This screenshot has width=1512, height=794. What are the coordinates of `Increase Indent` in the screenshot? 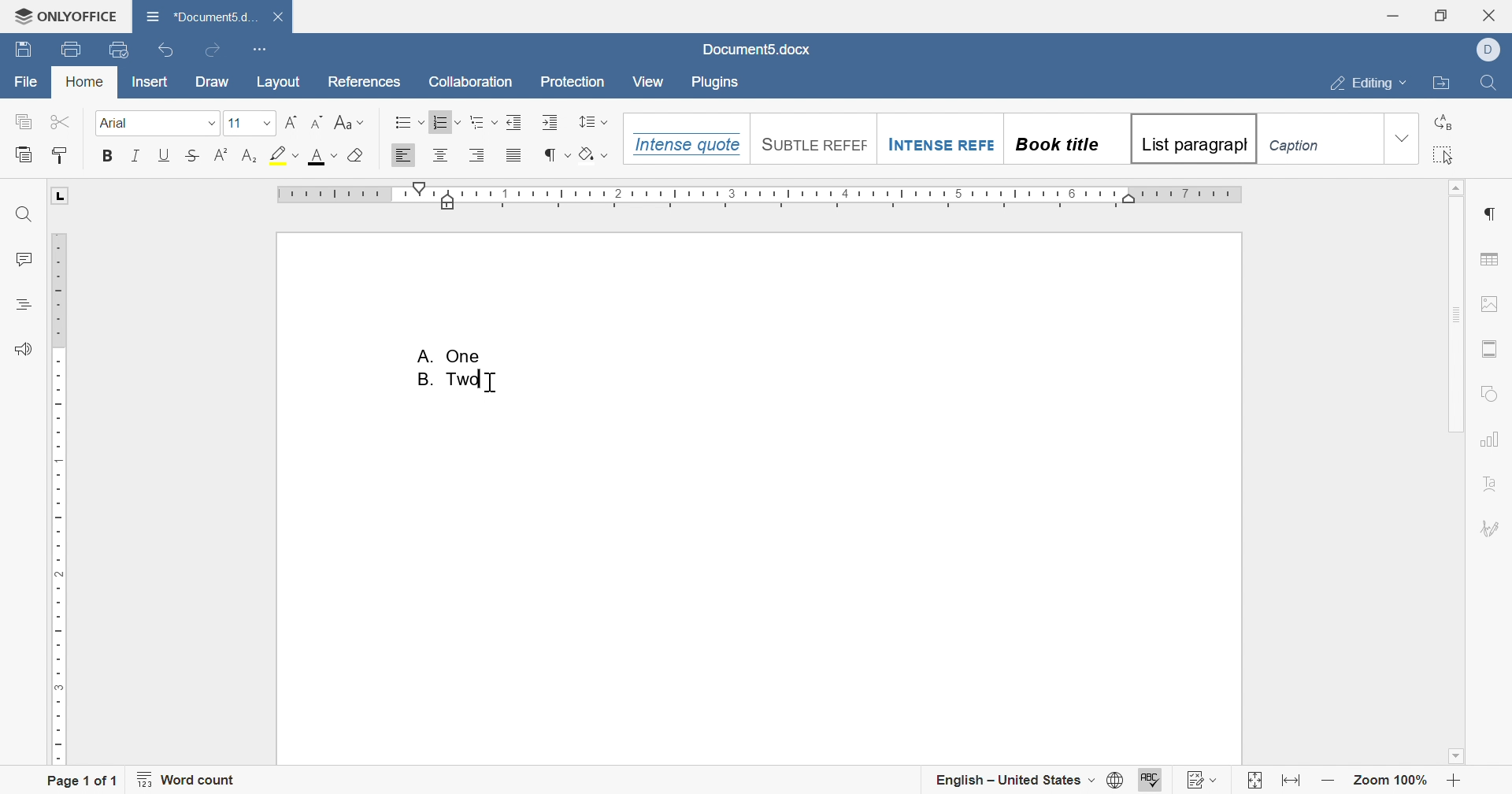 It's located at (513, 121).